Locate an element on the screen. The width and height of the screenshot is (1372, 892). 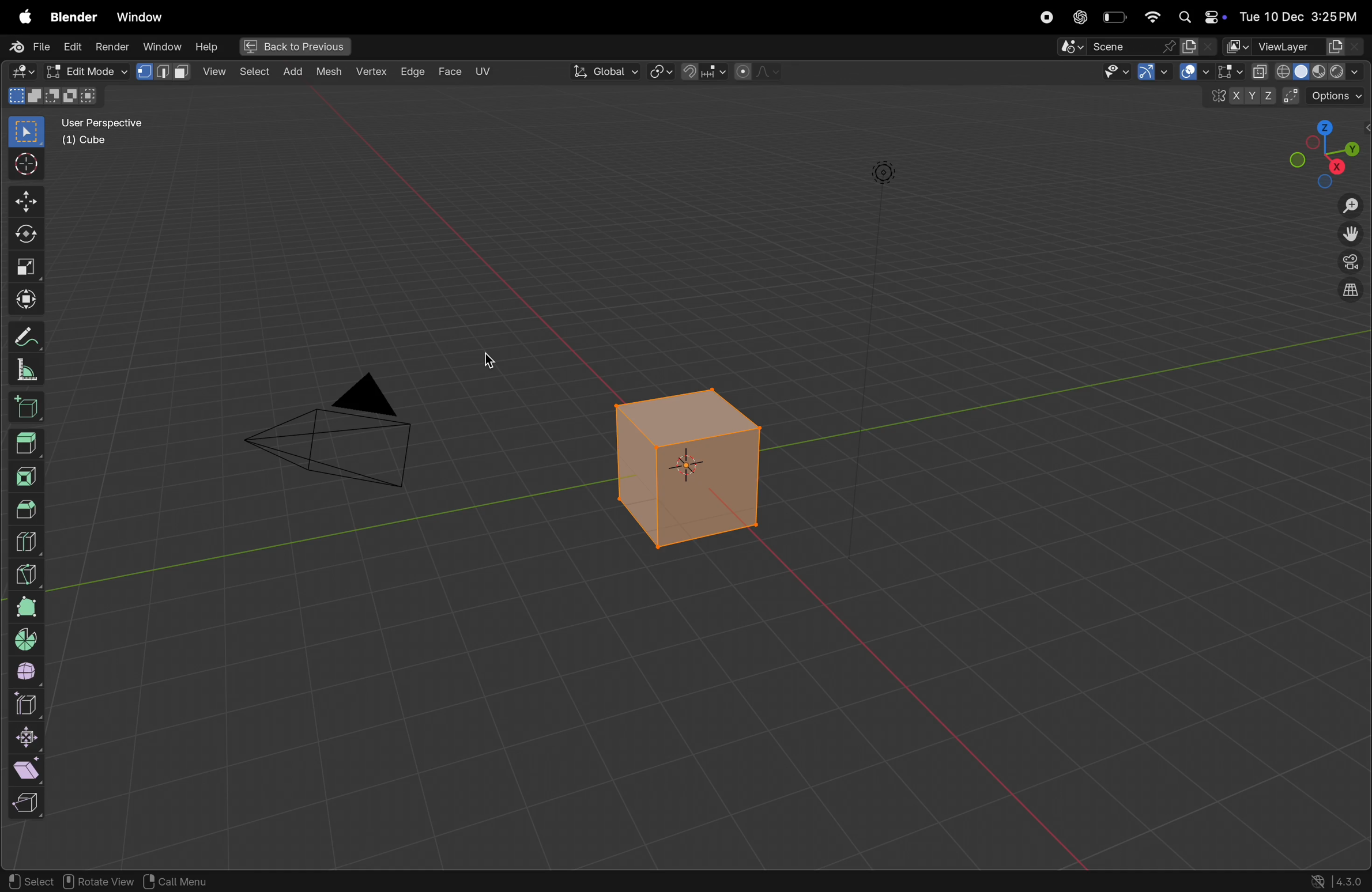
Back to previous is located at coordinates (291, 47).